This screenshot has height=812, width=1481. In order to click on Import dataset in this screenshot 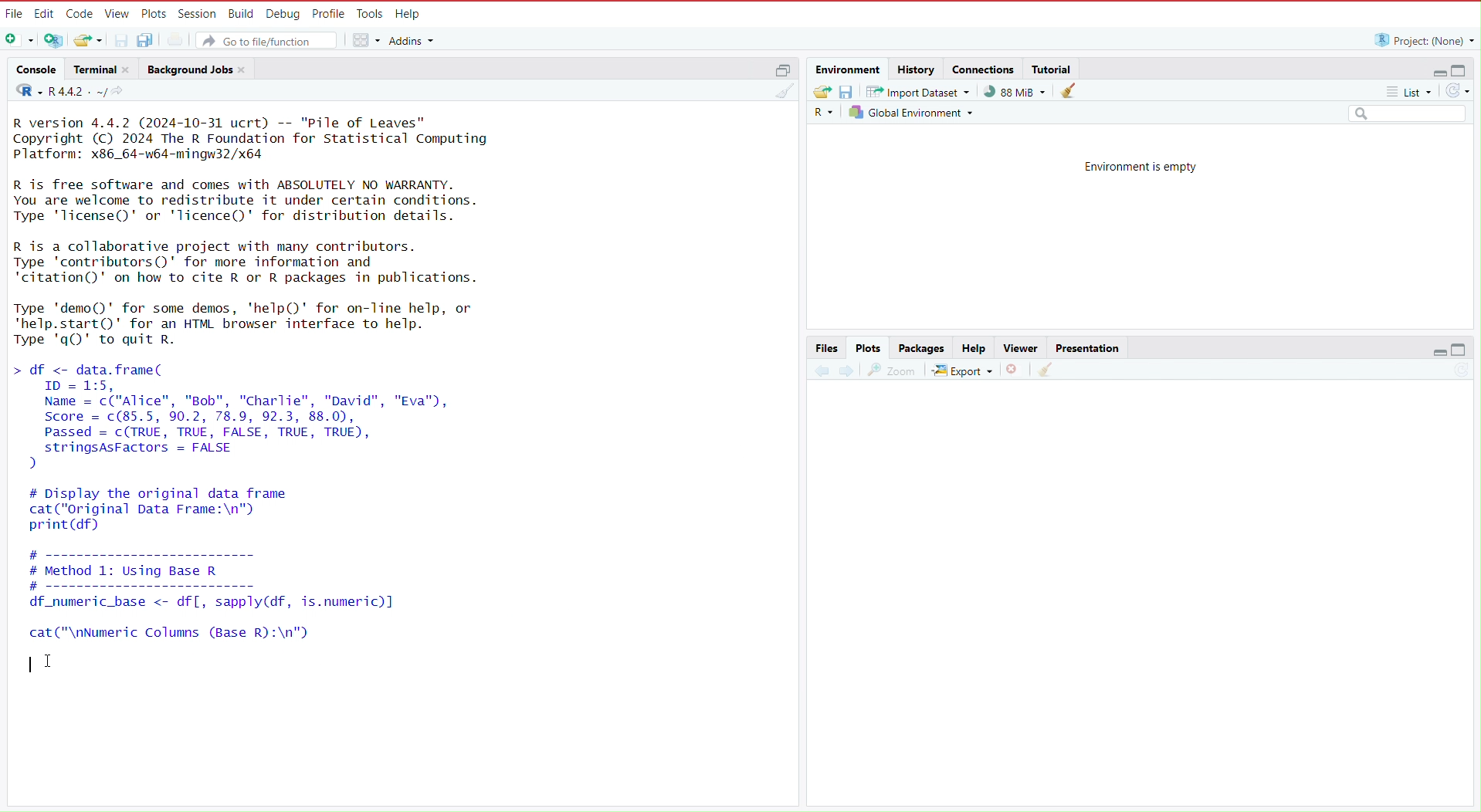, I will do `click(920, 92)`.